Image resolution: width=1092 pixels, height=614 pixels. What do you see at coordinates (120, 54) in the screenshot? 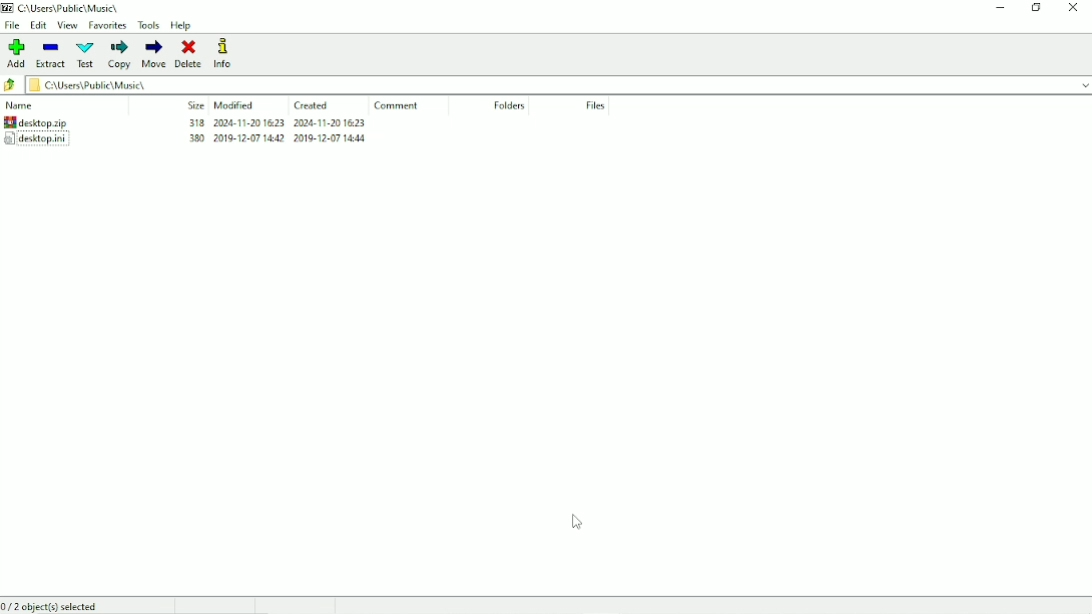
I see `Copy` at bounding box center [120, 54].